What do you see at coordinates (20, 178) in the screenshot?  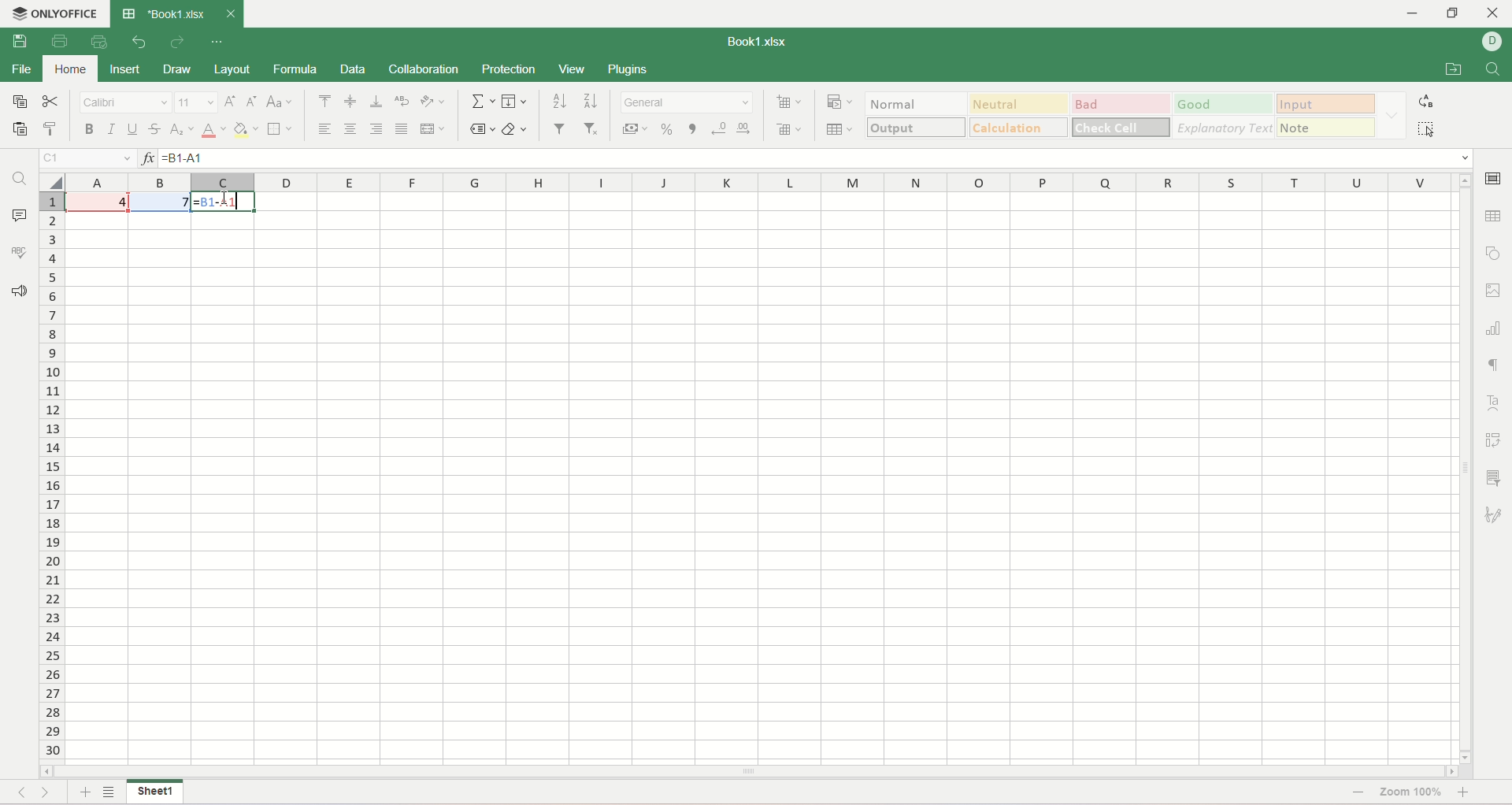 I see `find` at bounding box center [20, 178].